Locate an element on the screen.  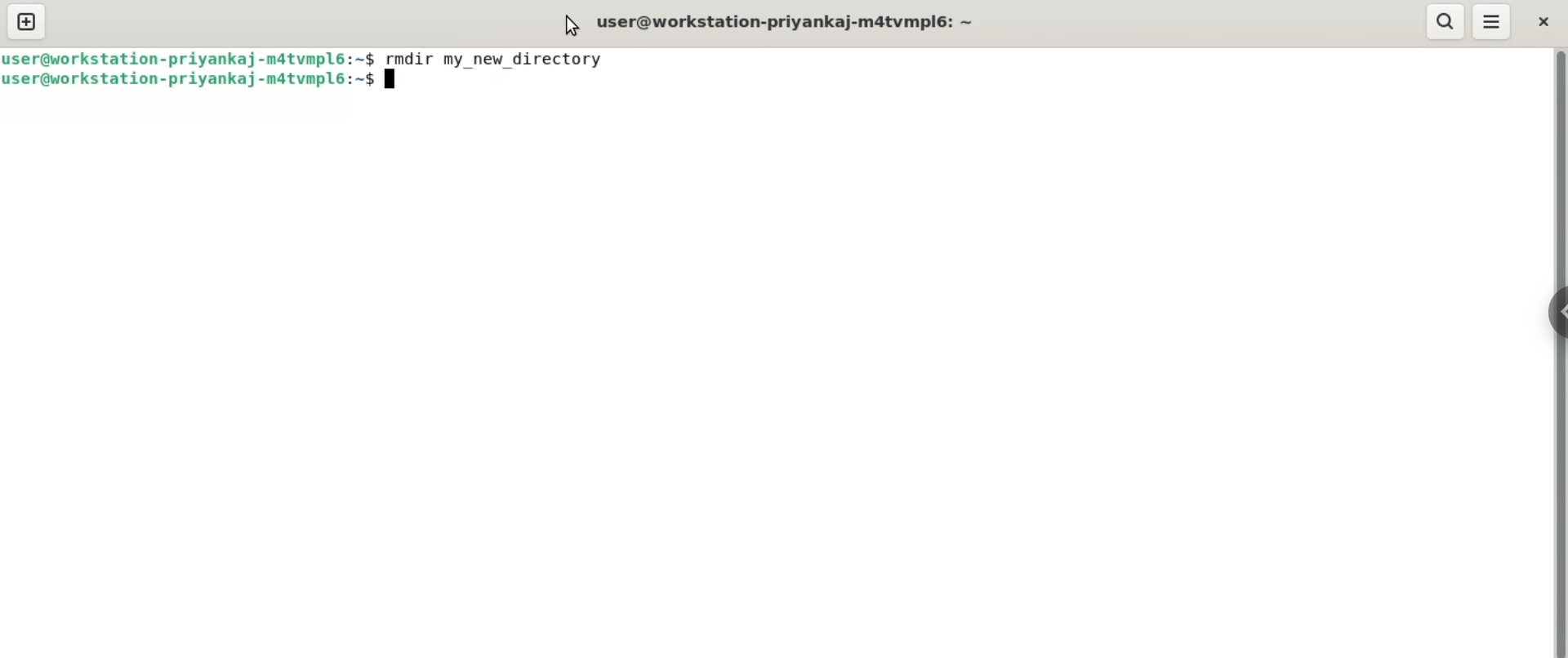
cursor is located at coordinates (565, 25).